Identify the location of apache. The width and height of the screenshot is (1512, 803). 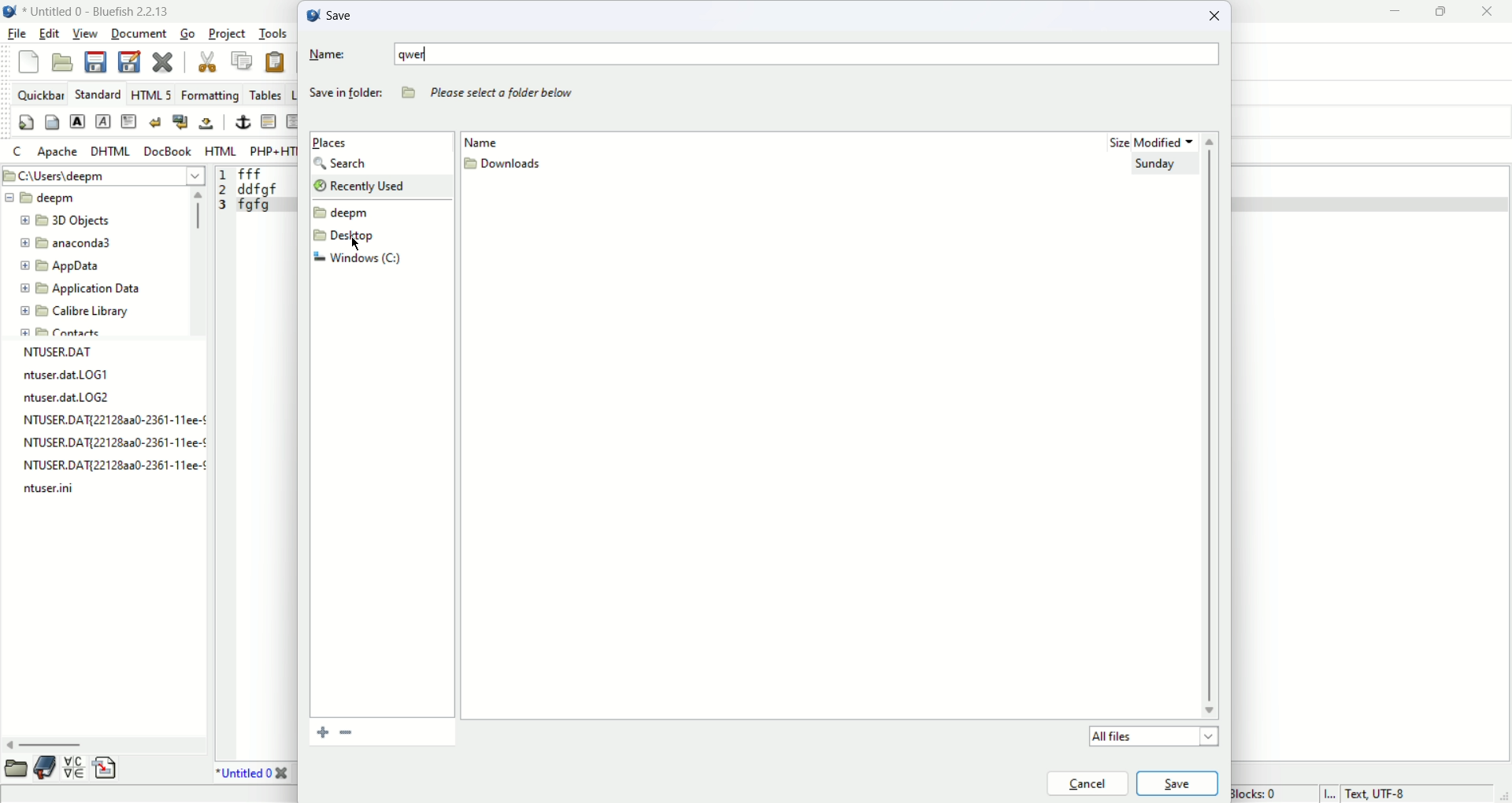
(55, 154).